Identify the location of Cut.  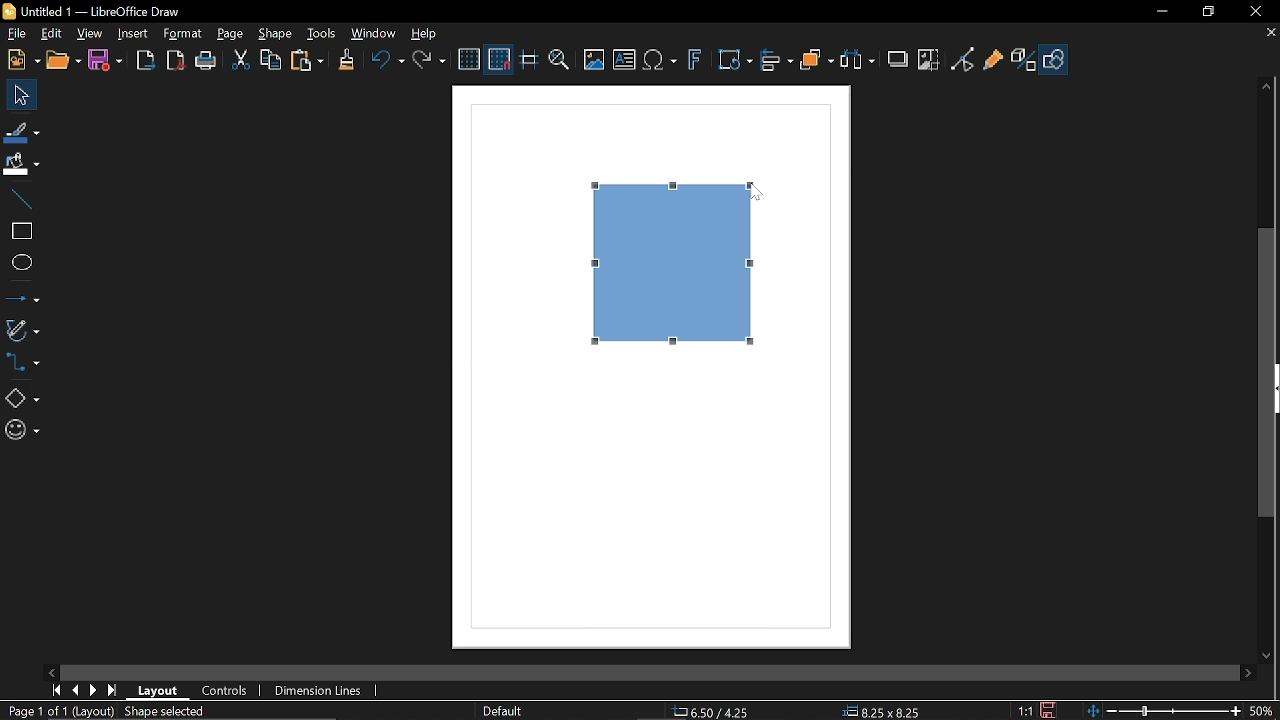
(240, 60).